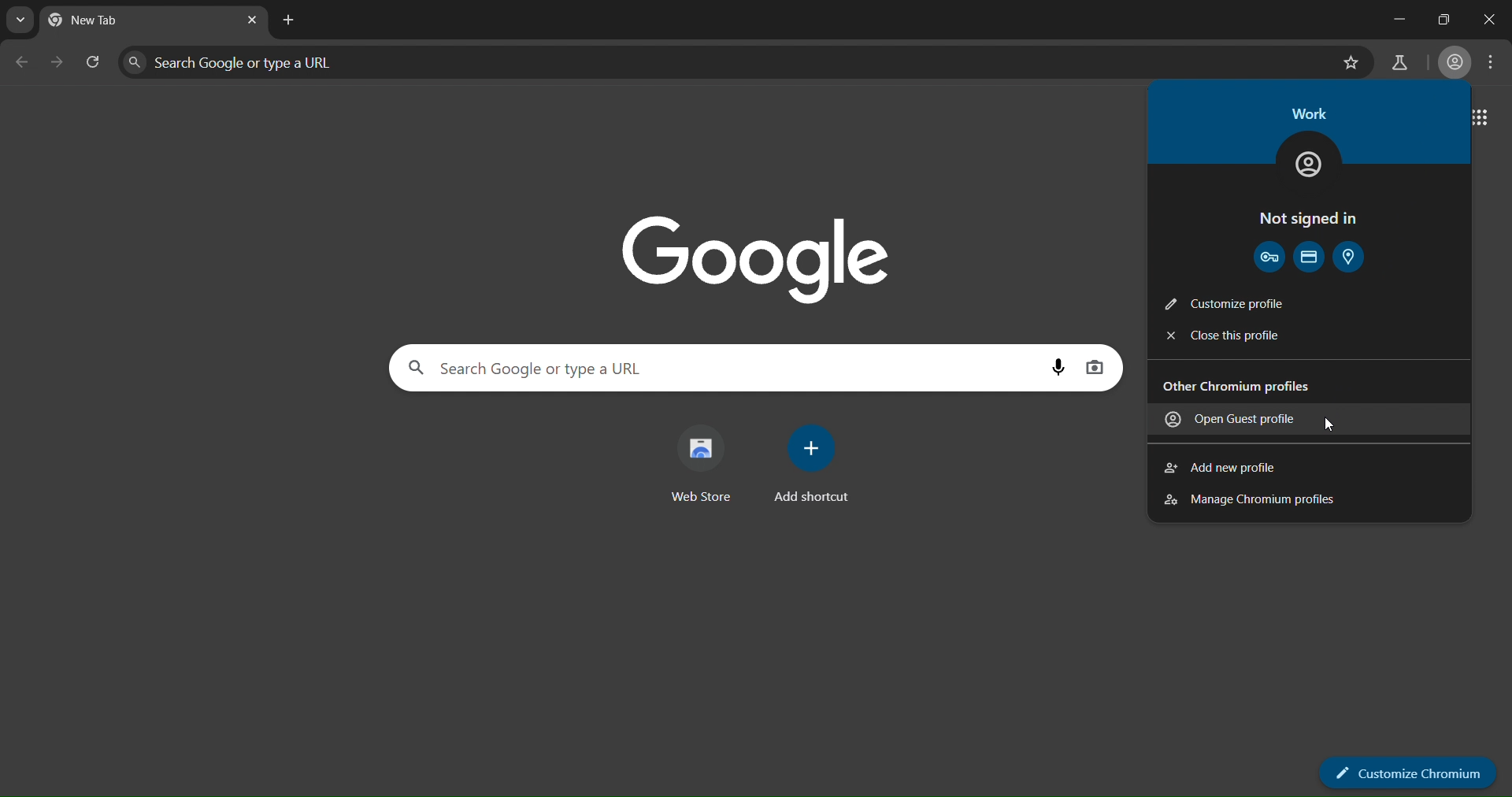 The width and height of the screenshot is (1512, 797). I want to click on minimize, so click(1397, 20).